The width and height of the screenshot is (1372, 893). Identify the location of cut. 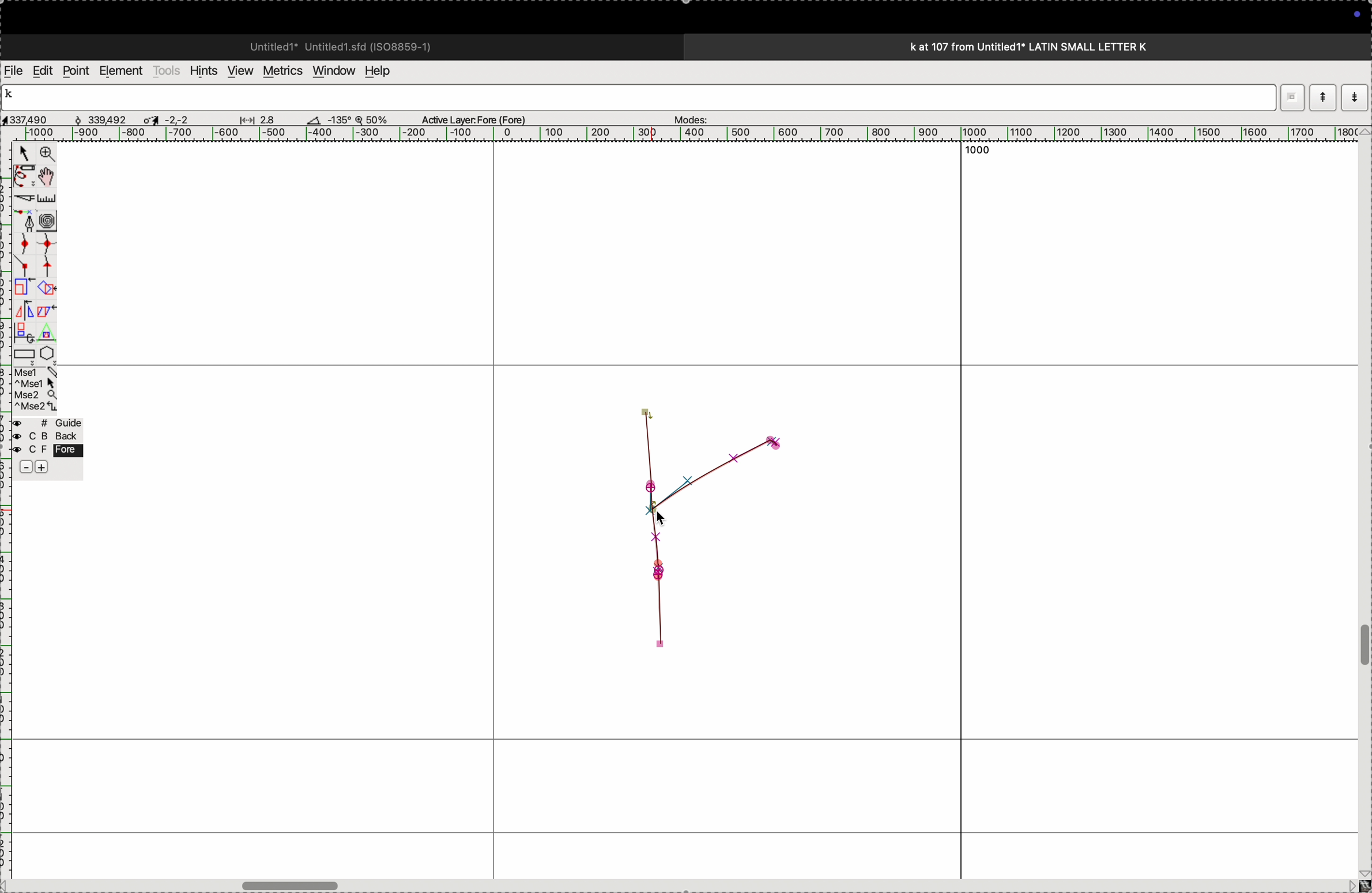
(314, 119).